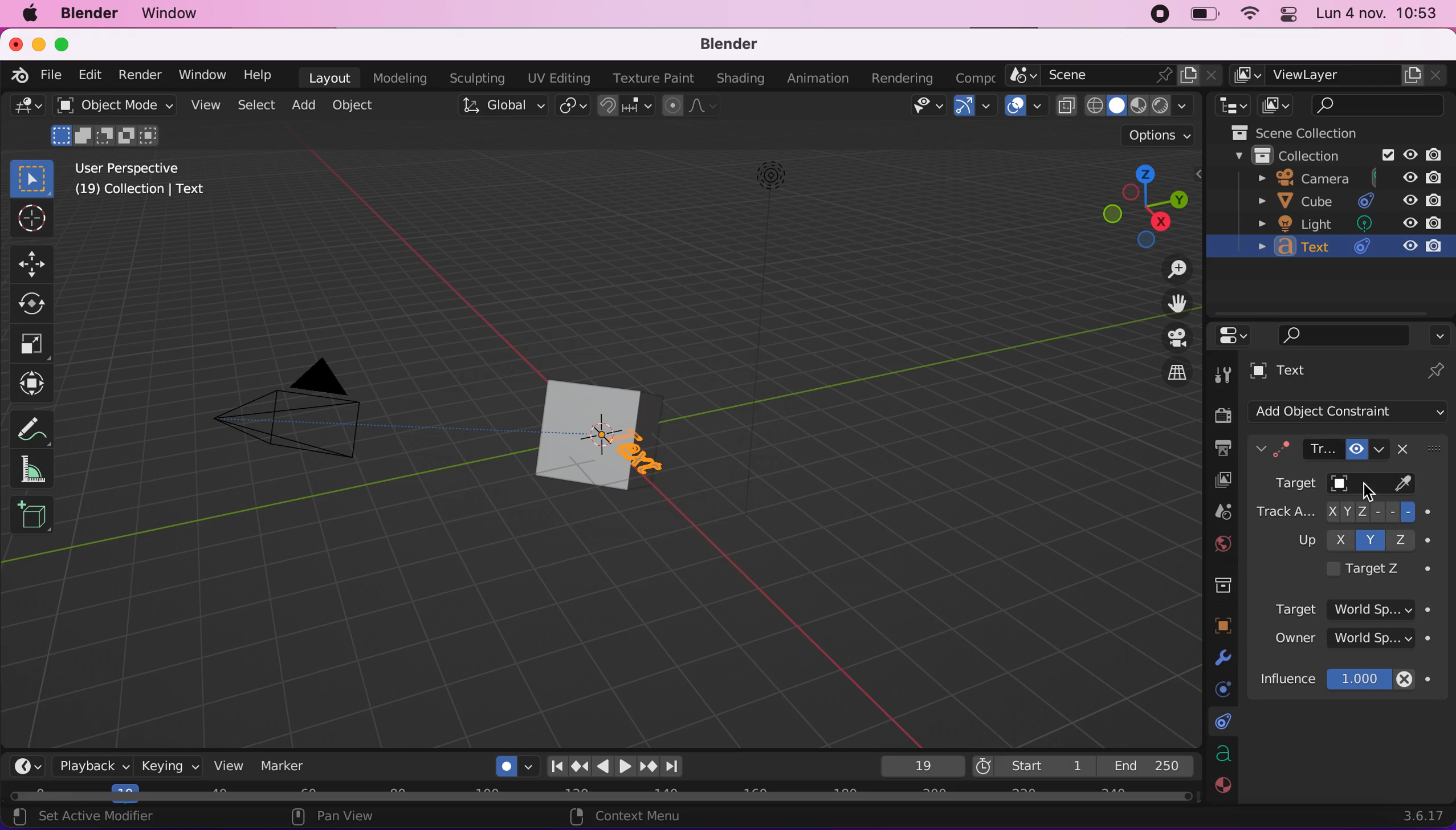 The height and width of the screenshot is (830, 1456). Describe the element at coordinates (656, 76) in the screenshot. I see `texture paint` at that location.